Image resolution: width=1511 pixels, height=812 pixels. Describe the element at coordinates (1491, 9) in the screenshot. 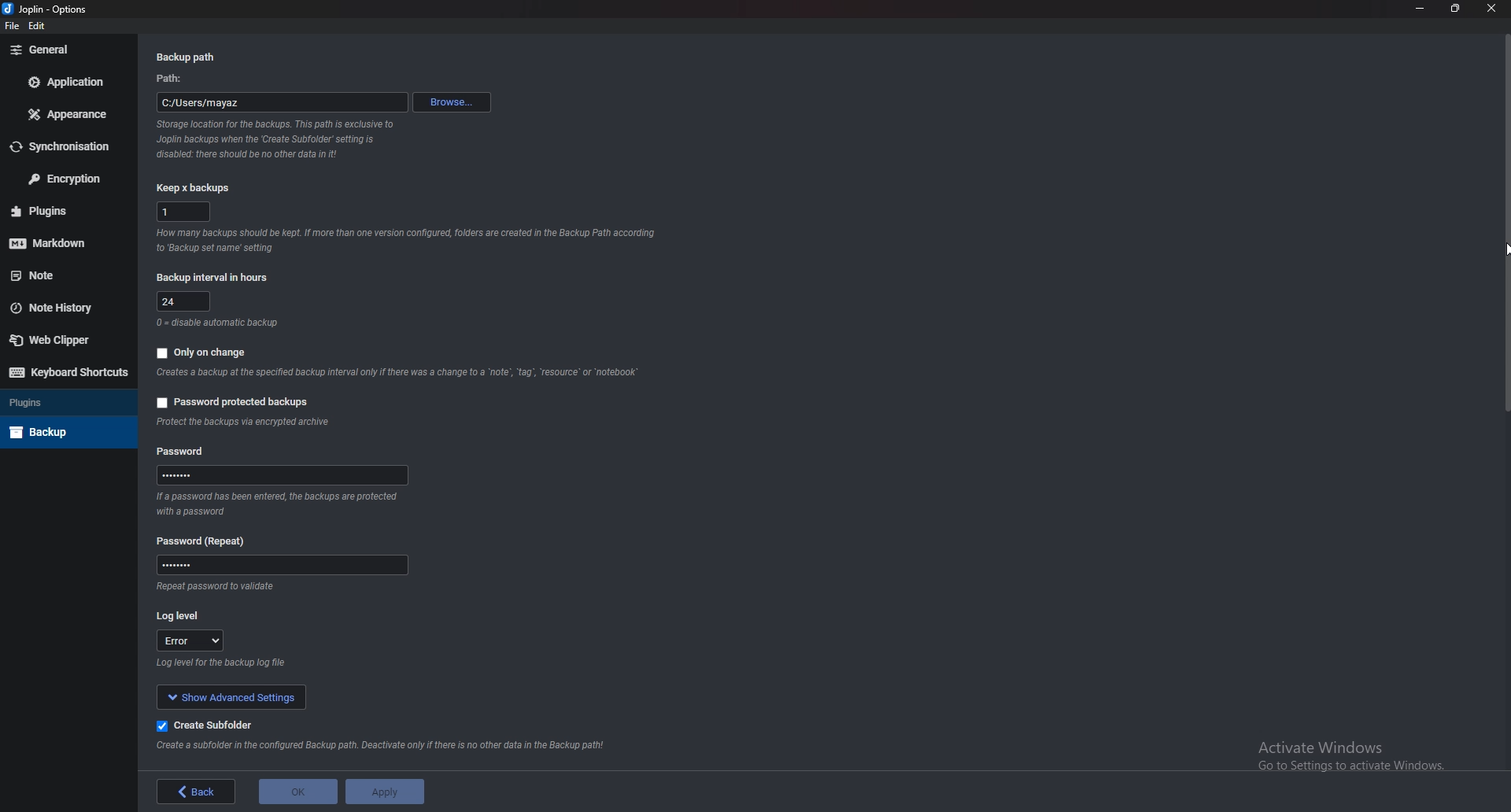

I see `close` at that location.